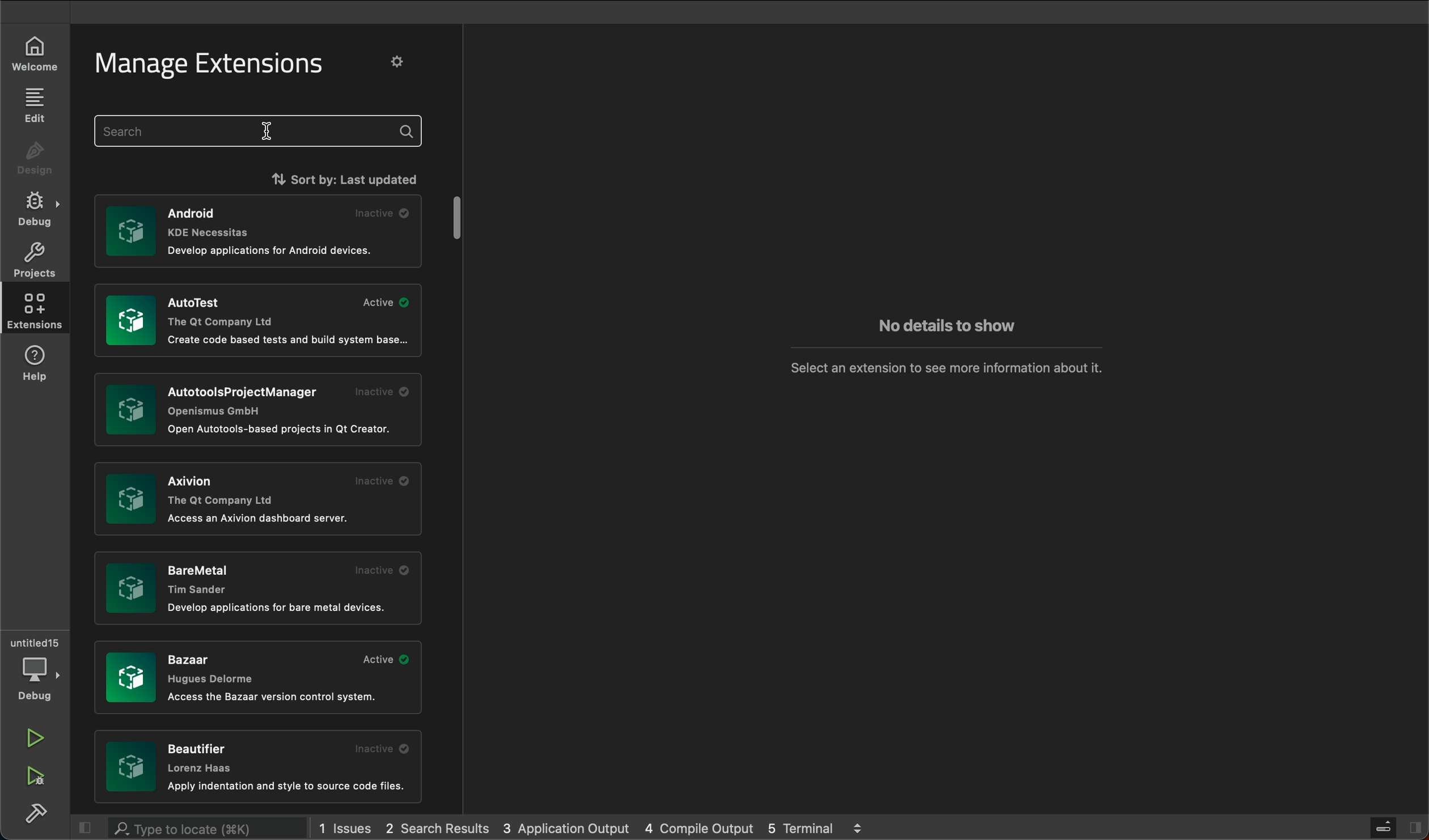 The height and width of the screenshot is (840, 1429). What do you see at coordinates (596, 828) in the screenshot?
I see `logs` at bounding box center [596, 828].